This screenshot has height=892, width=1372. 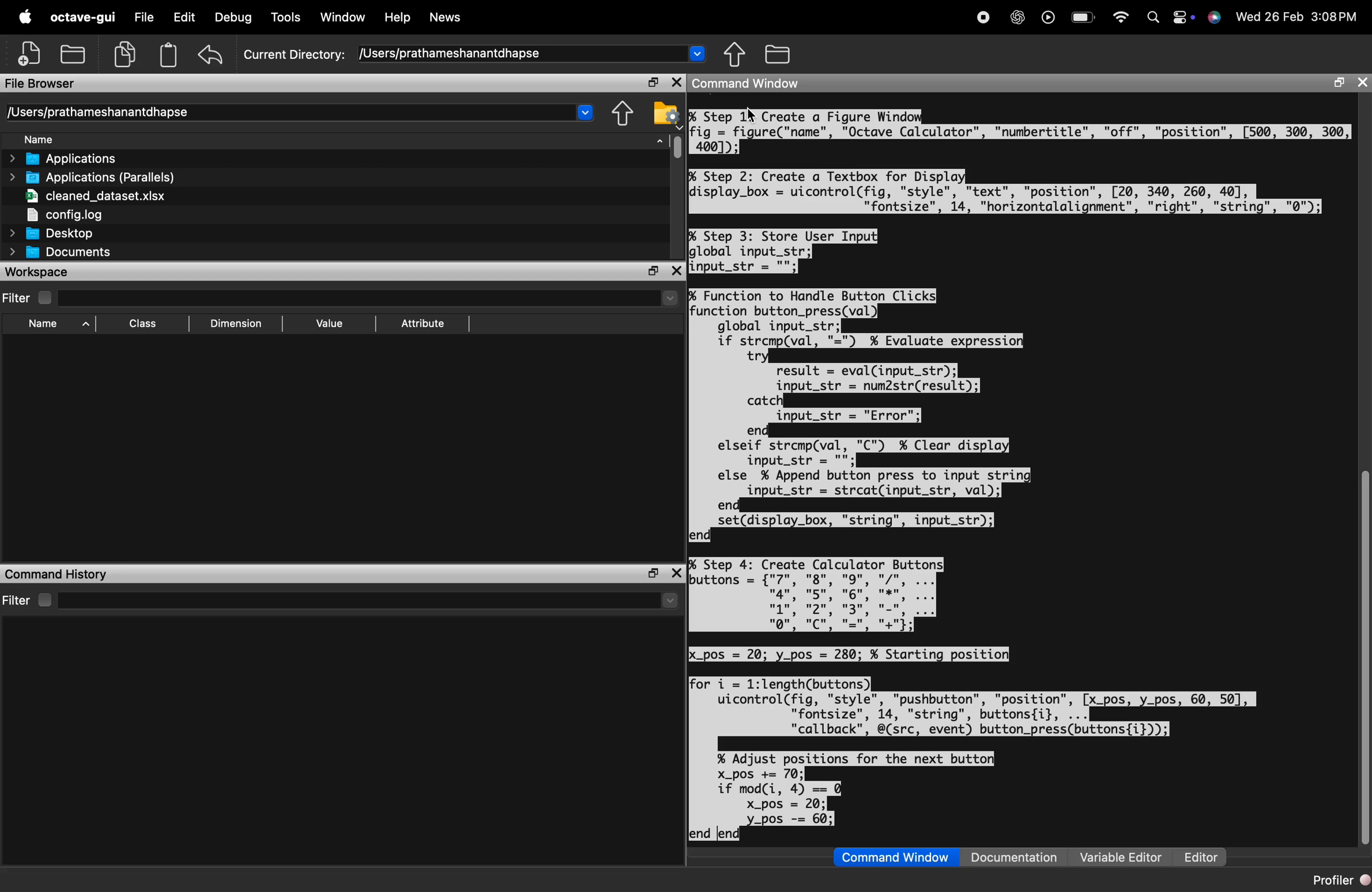 What do you see at coordinates (894, 858) in the screenshot?
I see `Command Window` at bounding box center [894, 858].